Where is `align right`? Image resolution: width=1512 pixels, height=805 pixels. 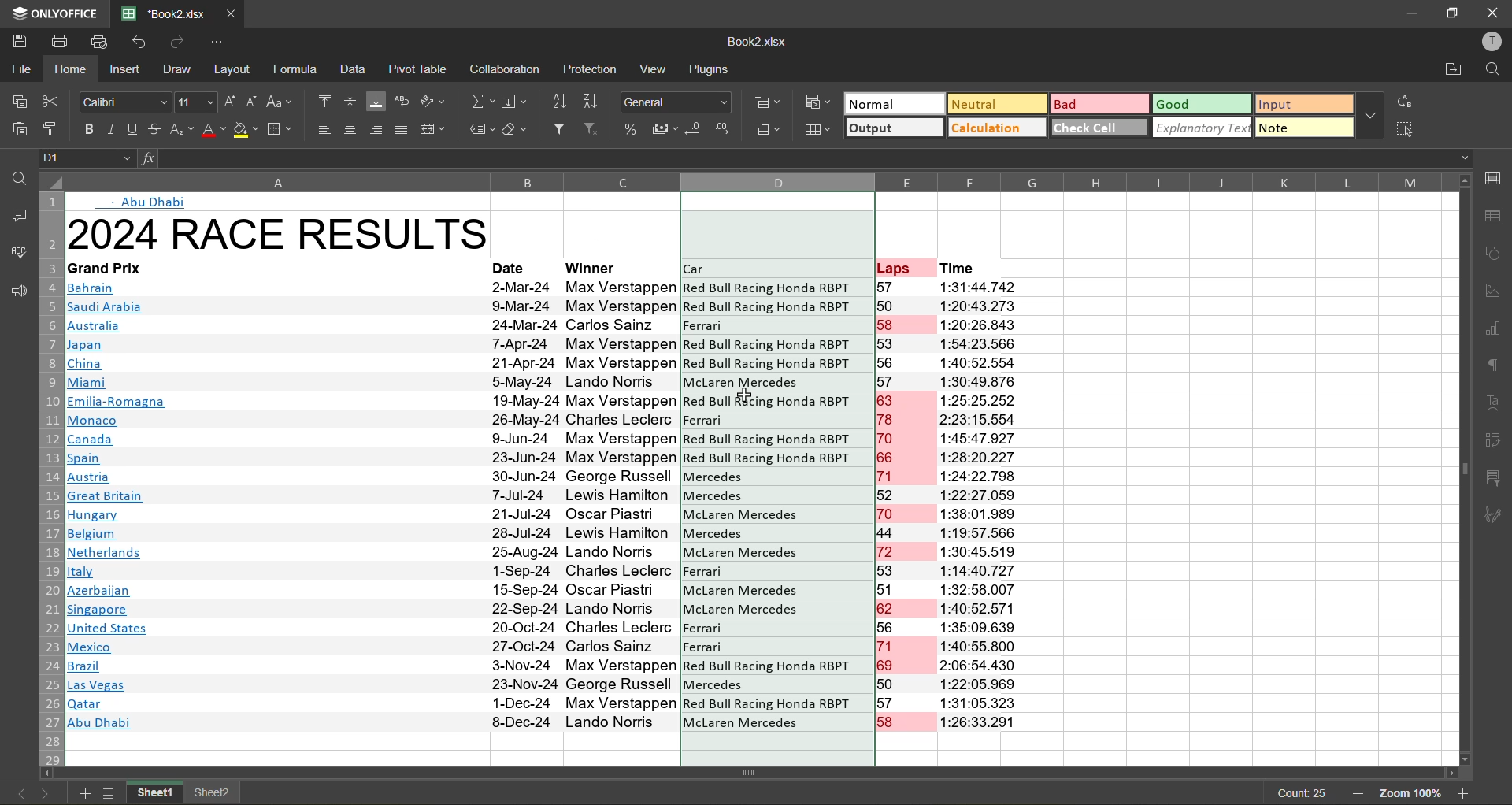 align right is located at coordinates (375, 129).